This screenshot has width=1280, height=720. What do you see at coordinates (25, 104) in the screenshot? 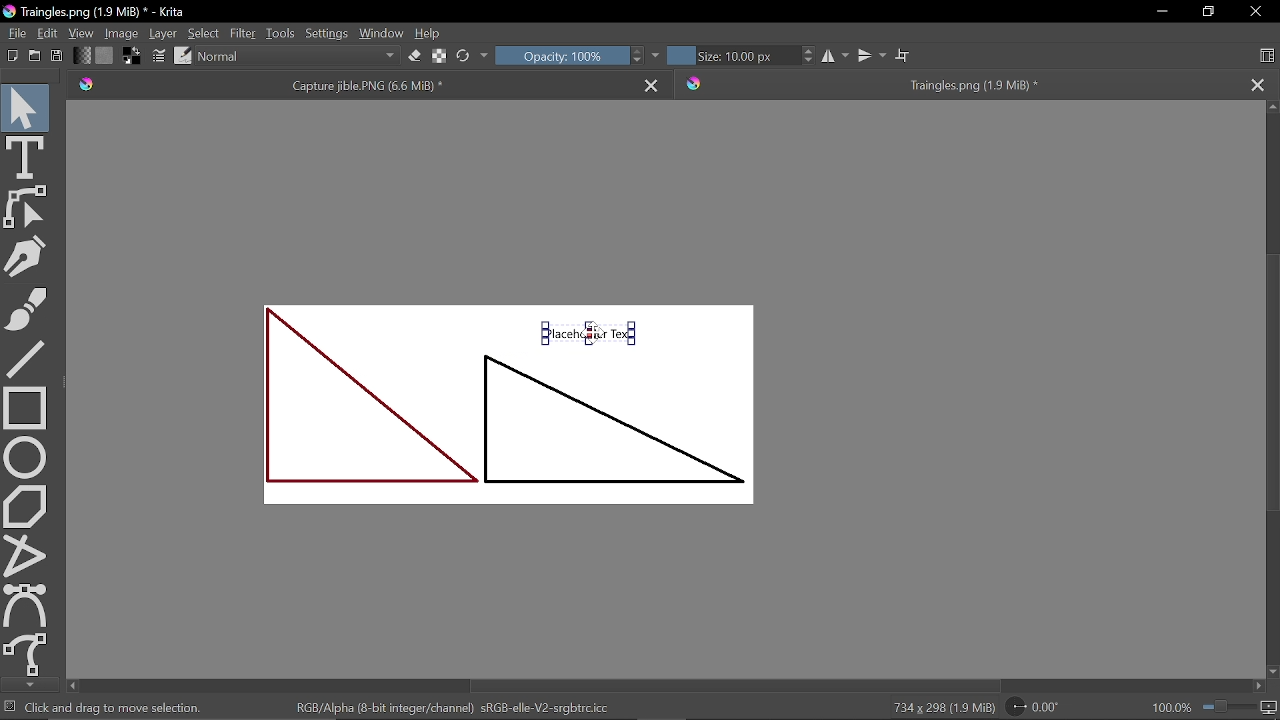
I see `Move tool` at bounding box center [25, 104].